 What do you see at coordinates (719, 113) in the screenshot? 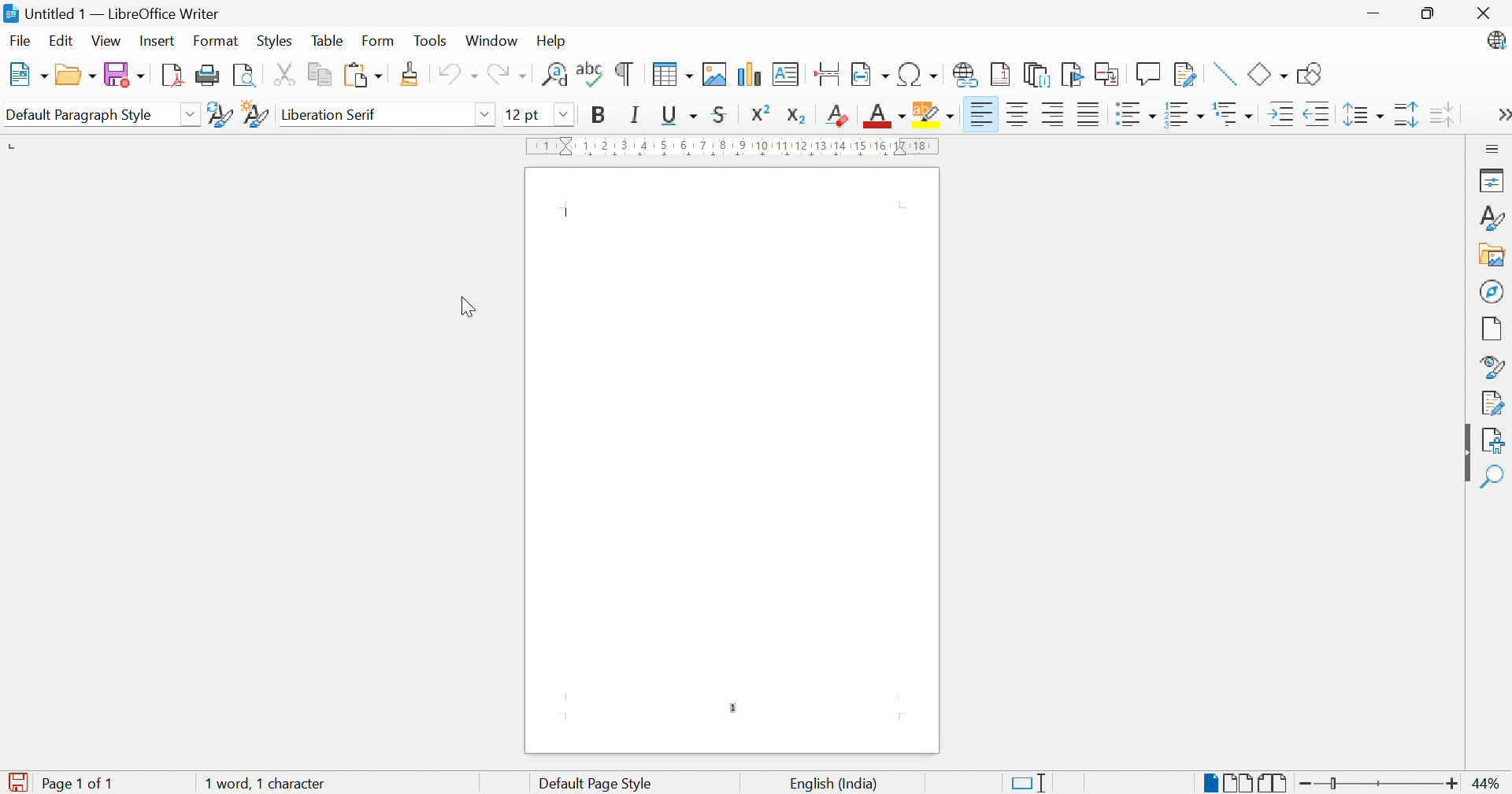
I see `Strikethrough` at bounding box center [719, 113].